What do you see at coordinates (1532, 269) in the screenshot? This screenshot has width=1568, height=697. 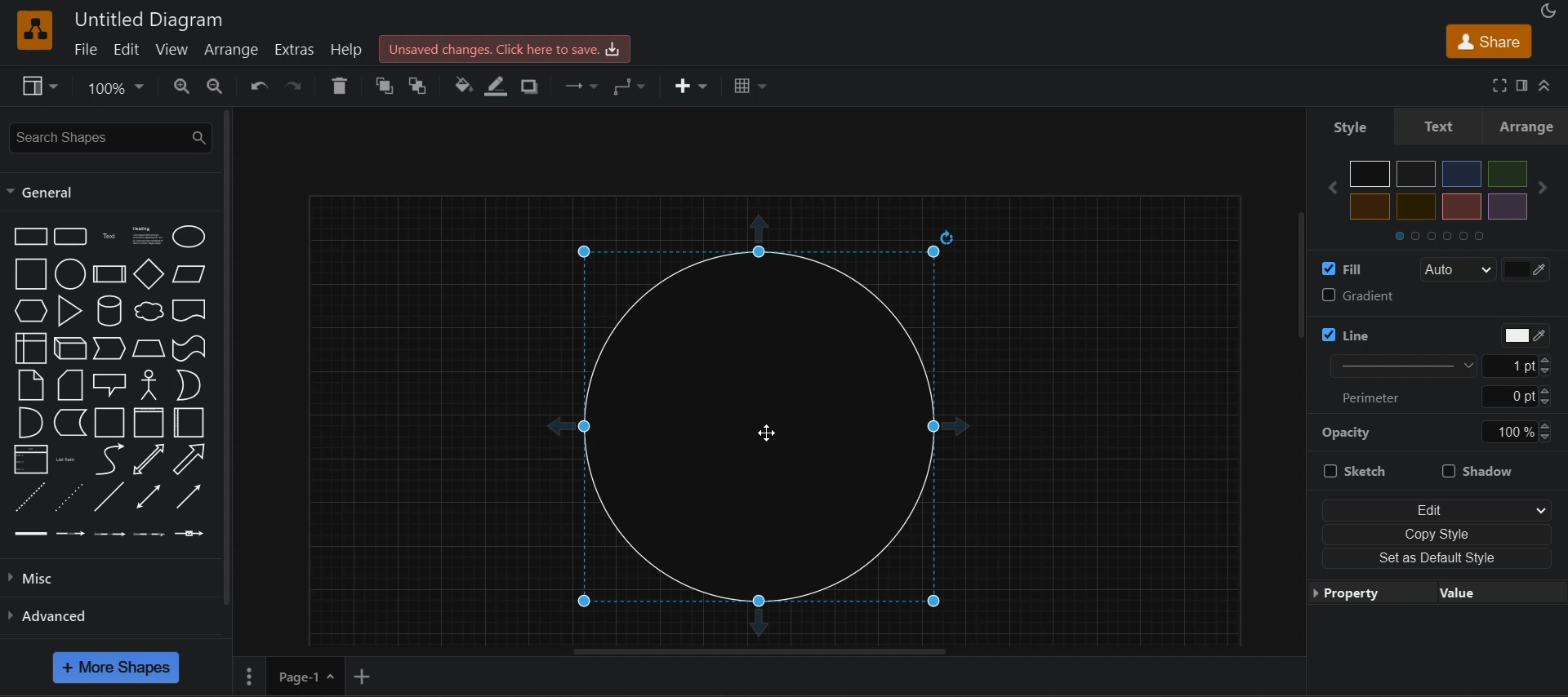 I see `color` at bounding box center [1532, 269].